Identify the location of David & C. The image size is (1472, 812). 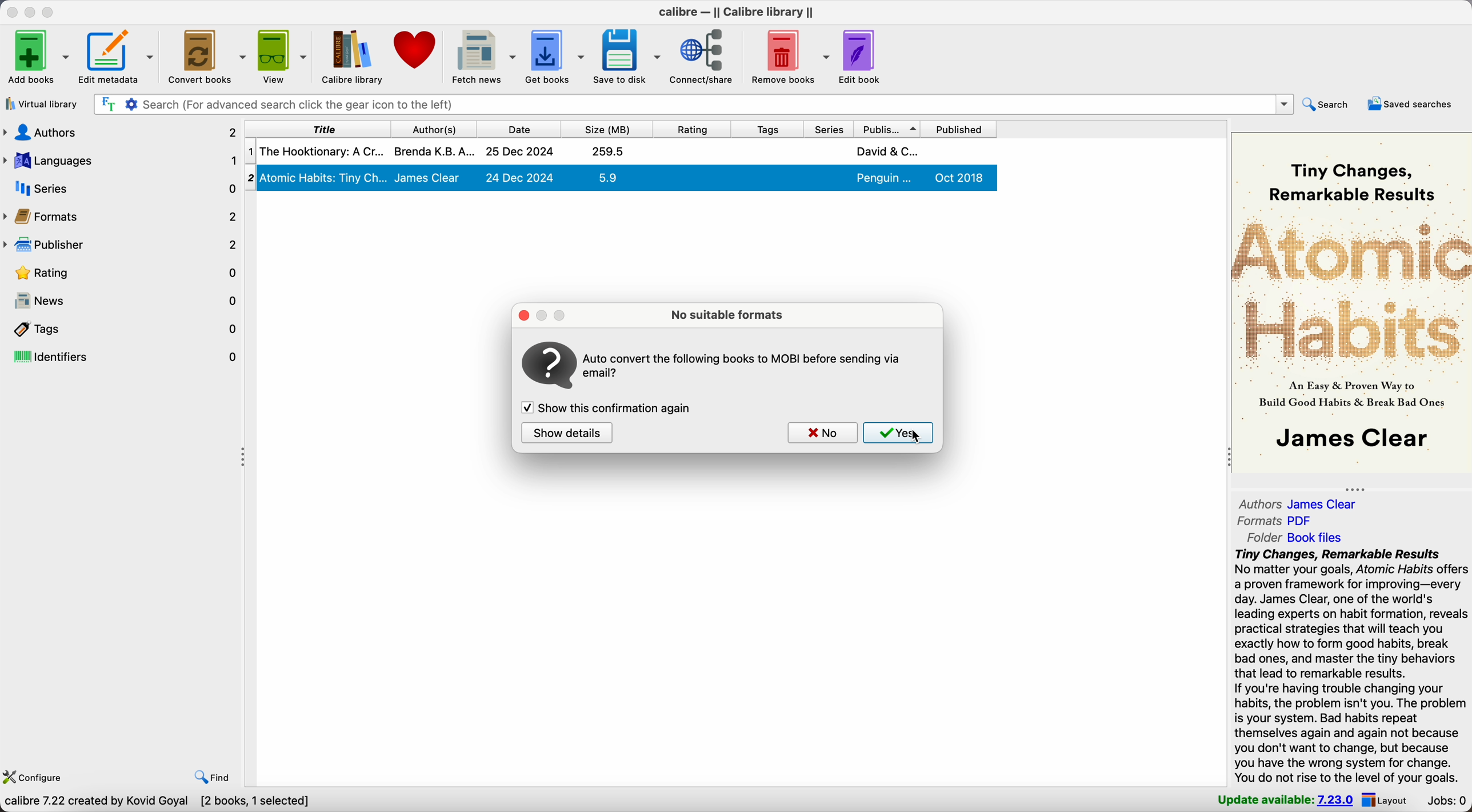
(887, 151).